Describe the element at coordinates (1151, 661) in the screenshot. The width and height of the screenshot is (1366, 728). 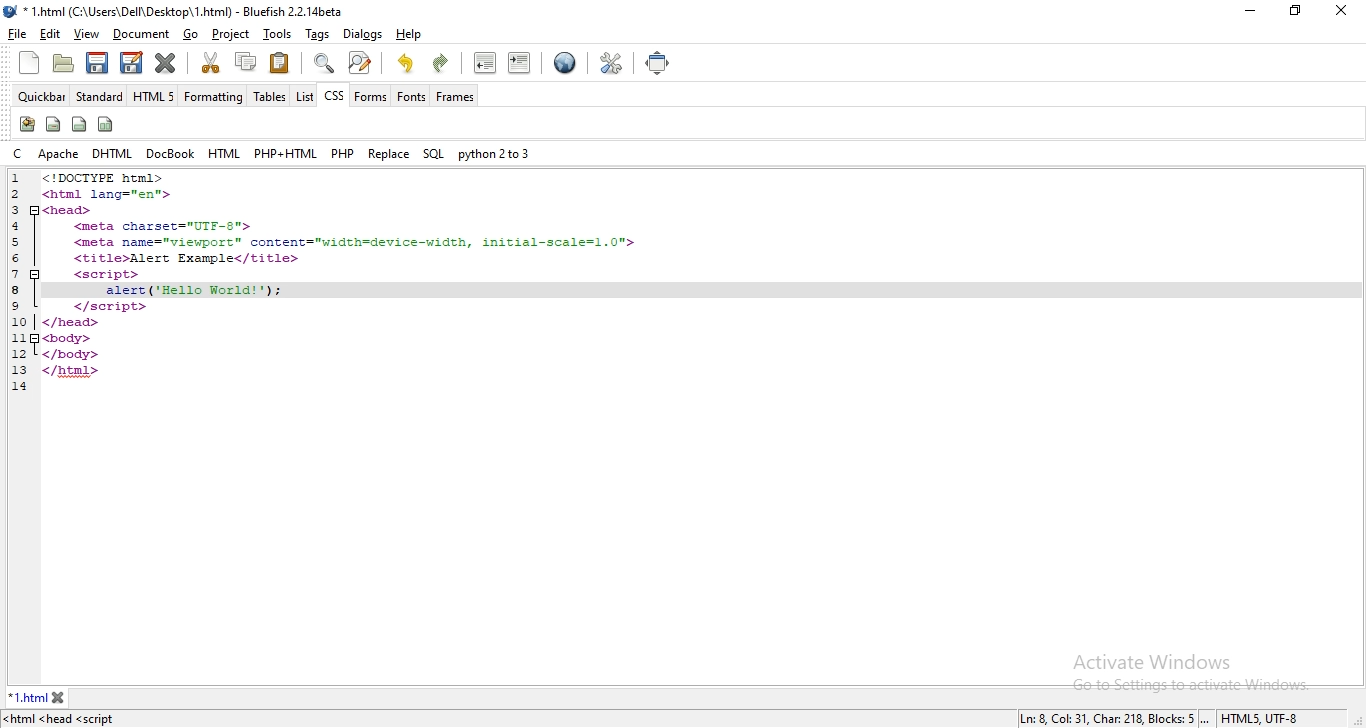
I see `Activate Windows` at that location.